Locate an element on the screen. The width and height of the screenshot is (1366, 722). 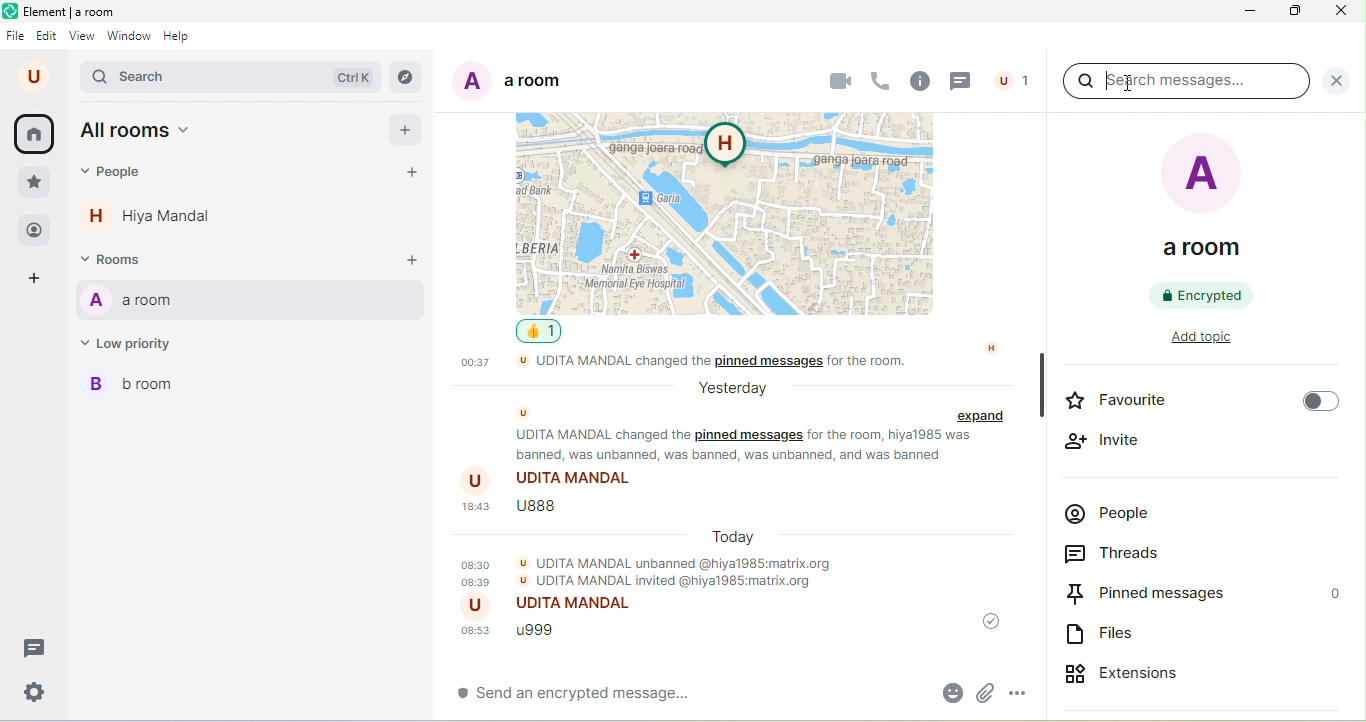
threads is located at coordinates (1130, 555).